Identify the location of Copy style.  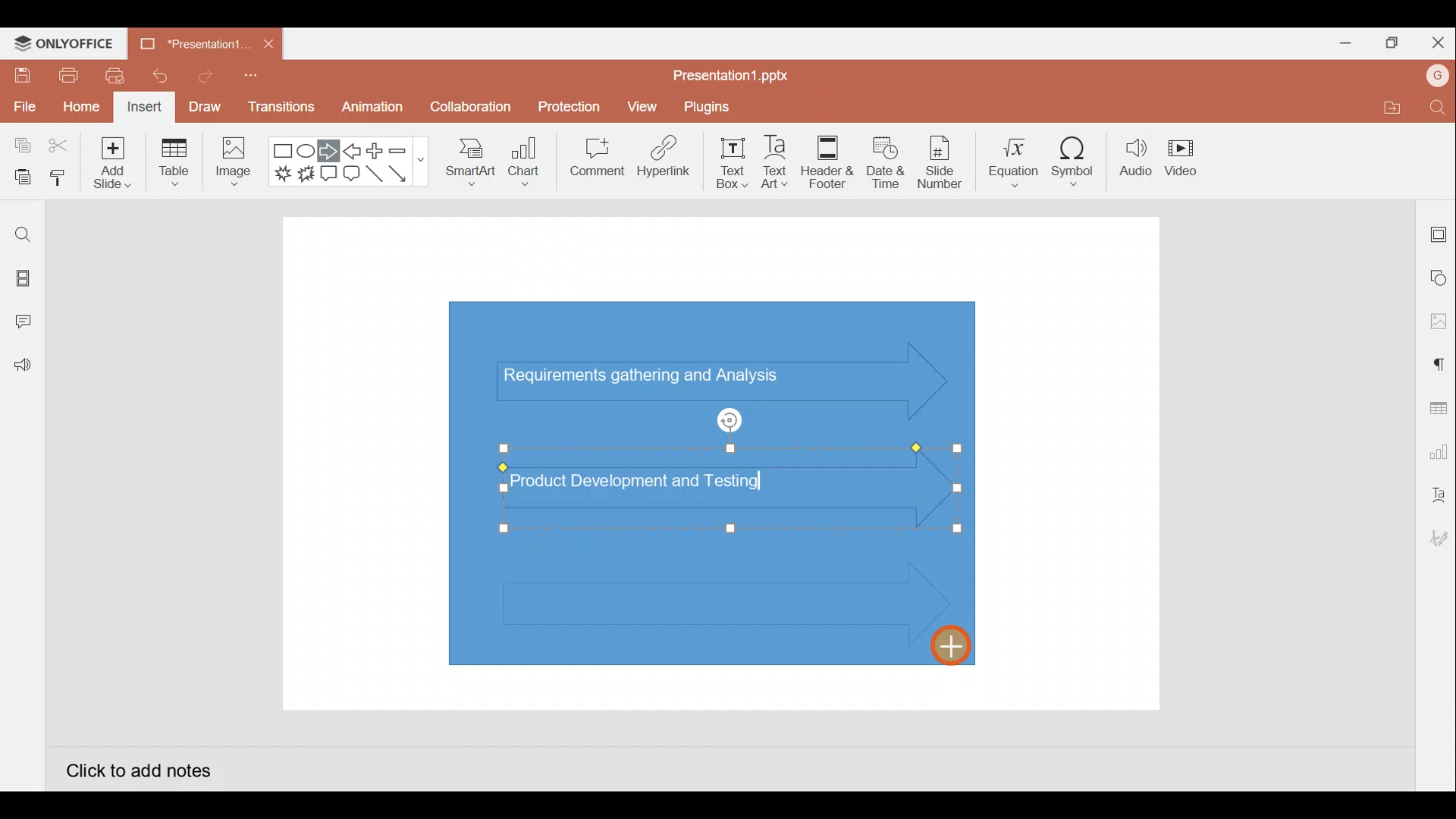
(59, 180).